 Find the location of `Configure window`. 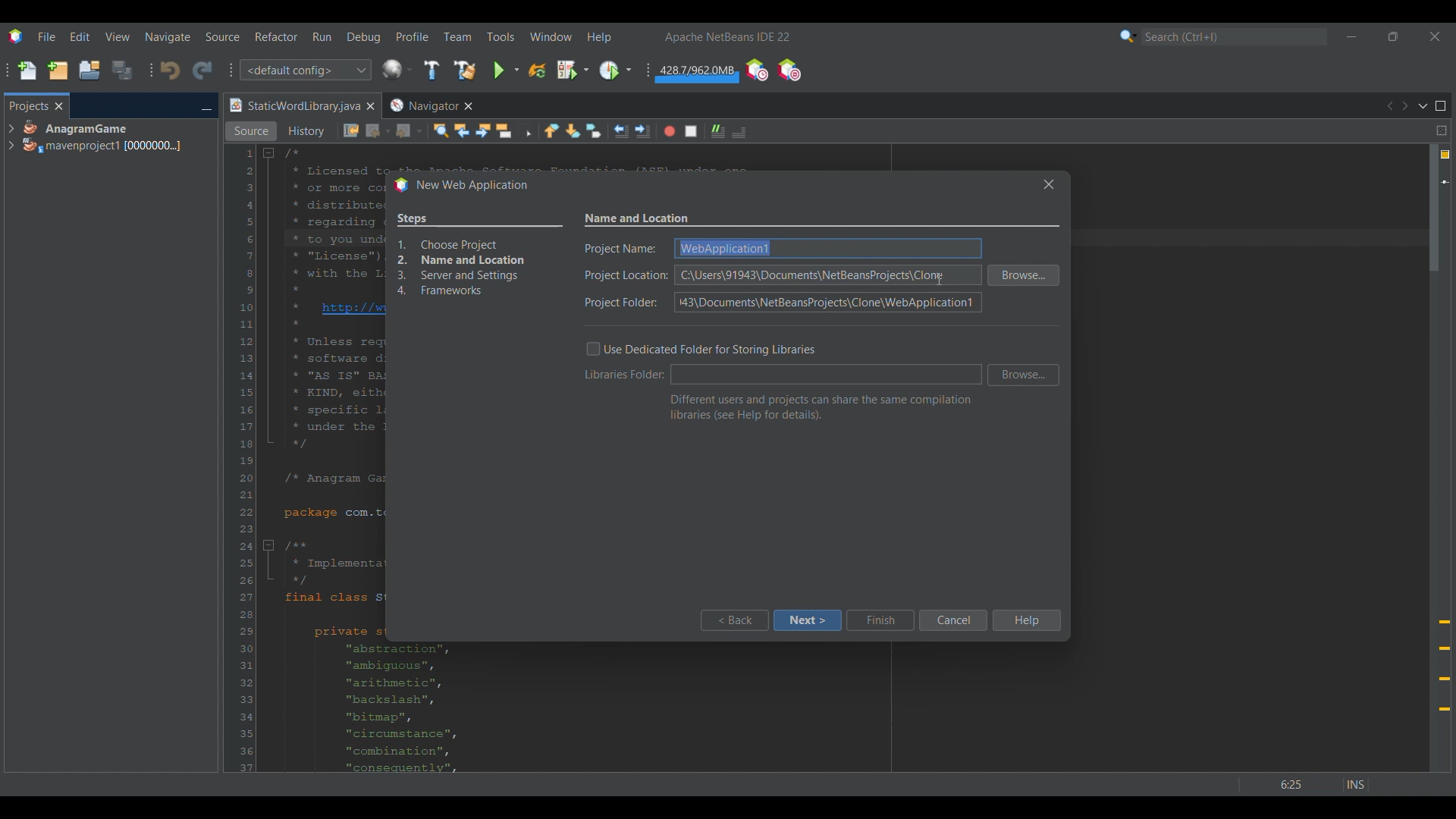

Configure window is located at coordinates (397, 69).